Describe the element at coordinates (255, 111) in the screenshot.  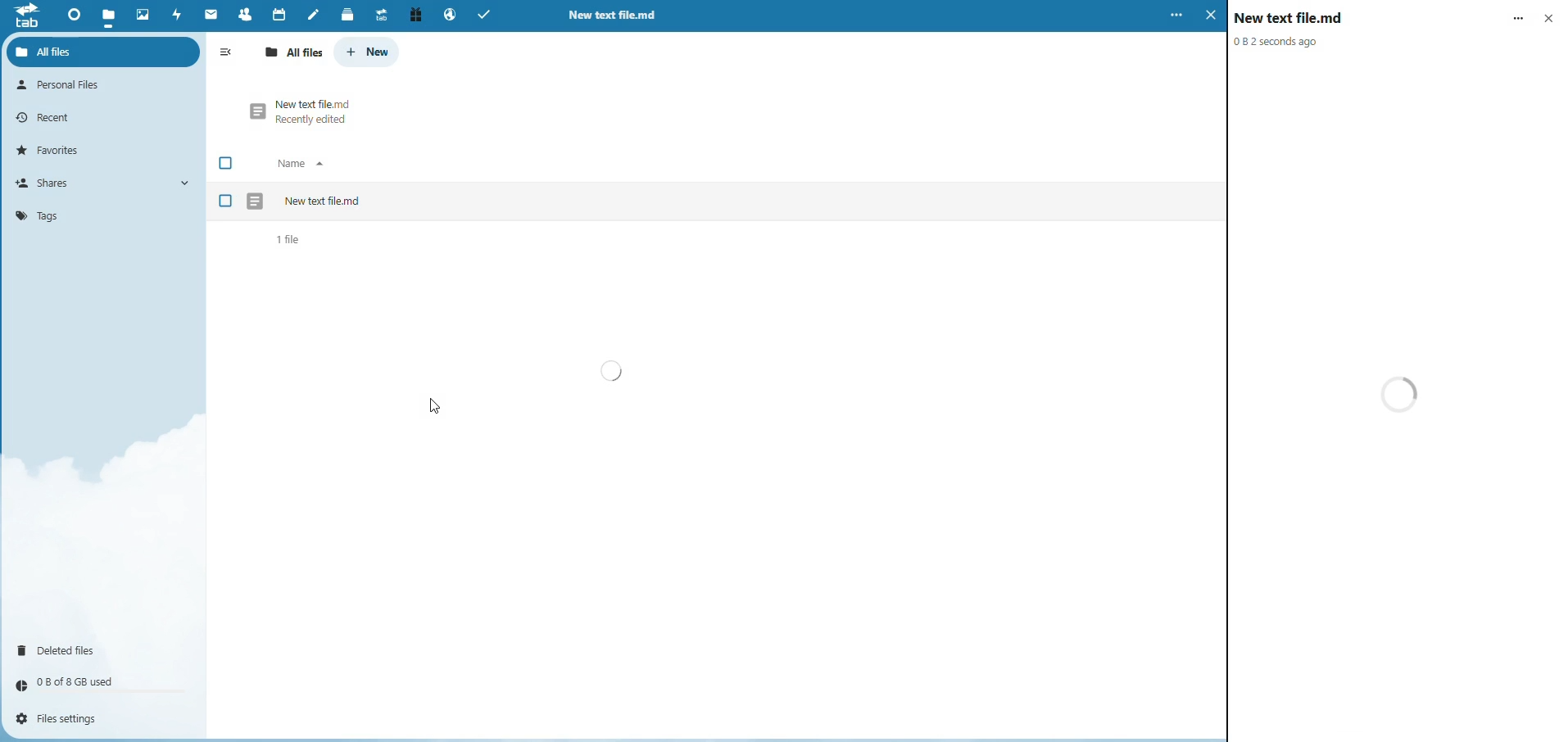
I see `New File Logo` at that location.